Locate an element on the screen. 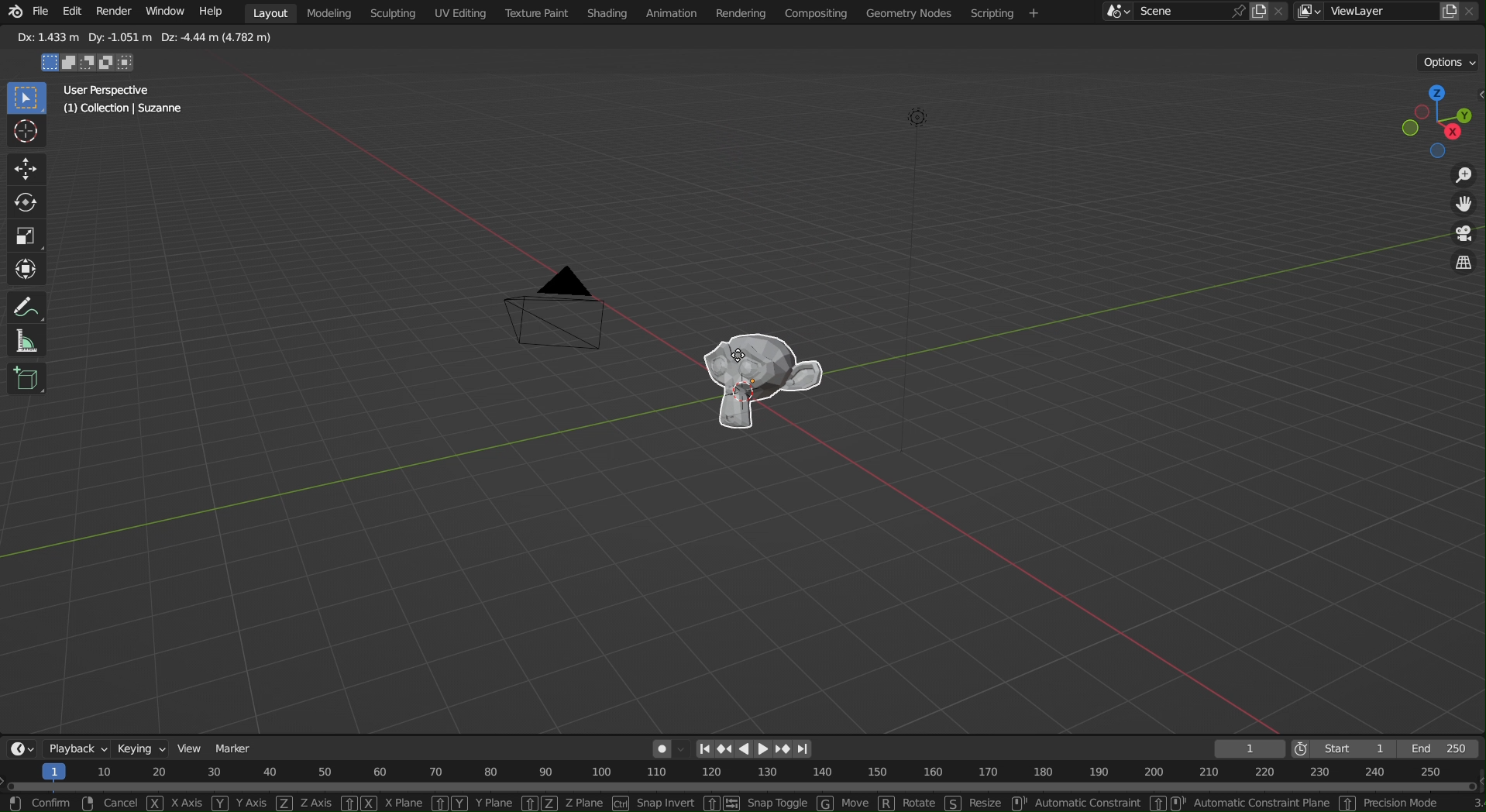 Image resolution: width=1486 pixels, height=812 pixels. Automatic Constraint is located at coordinates (1089, 803).